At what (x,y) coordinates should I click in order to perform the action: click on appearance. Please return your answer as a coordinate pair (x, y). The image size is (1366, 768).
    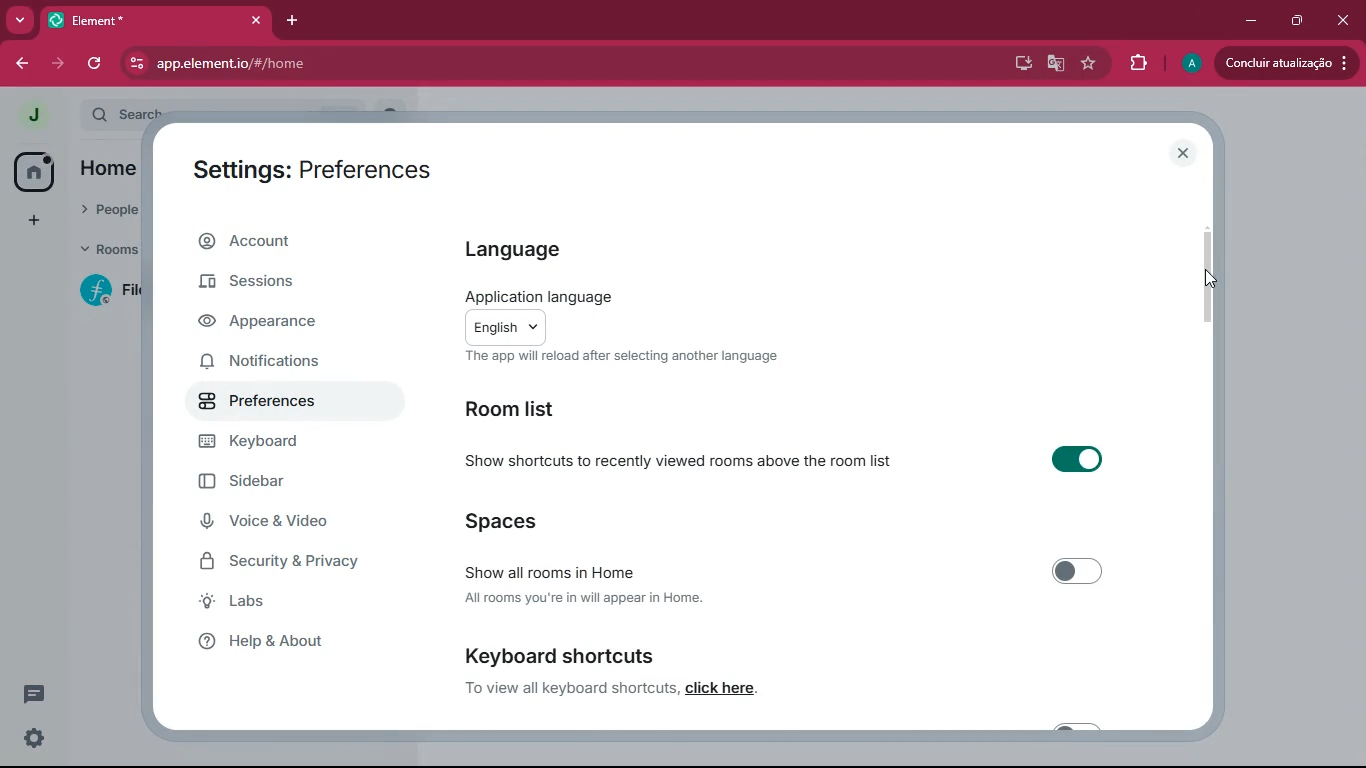
    Looking at the image, I should click on (271, 325).